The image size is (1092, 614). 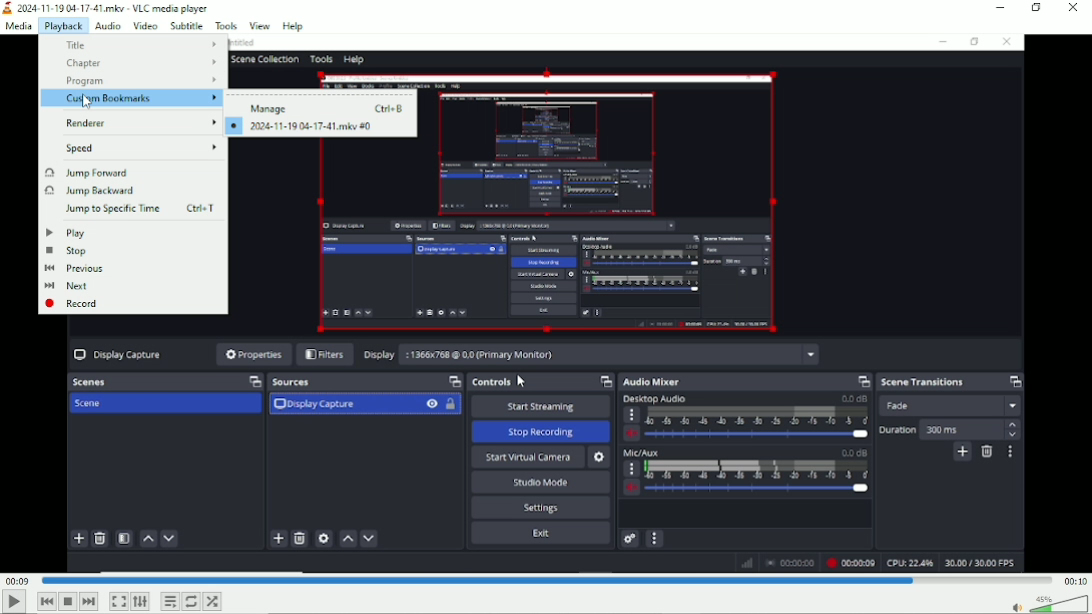 I want to click on Play duration, so click(x=545, y=579).